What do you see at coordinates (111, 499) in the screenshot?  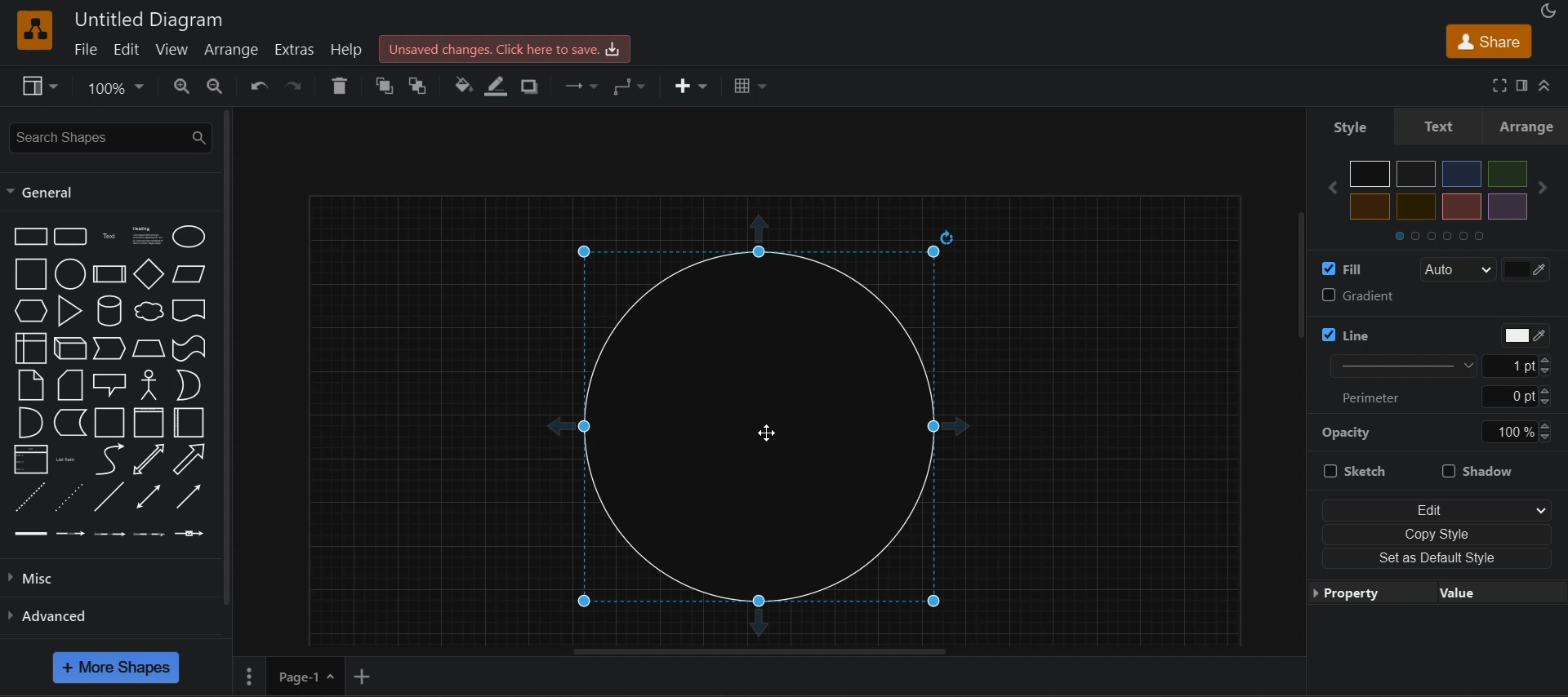 I see `line` at bounding box center [111, 499].